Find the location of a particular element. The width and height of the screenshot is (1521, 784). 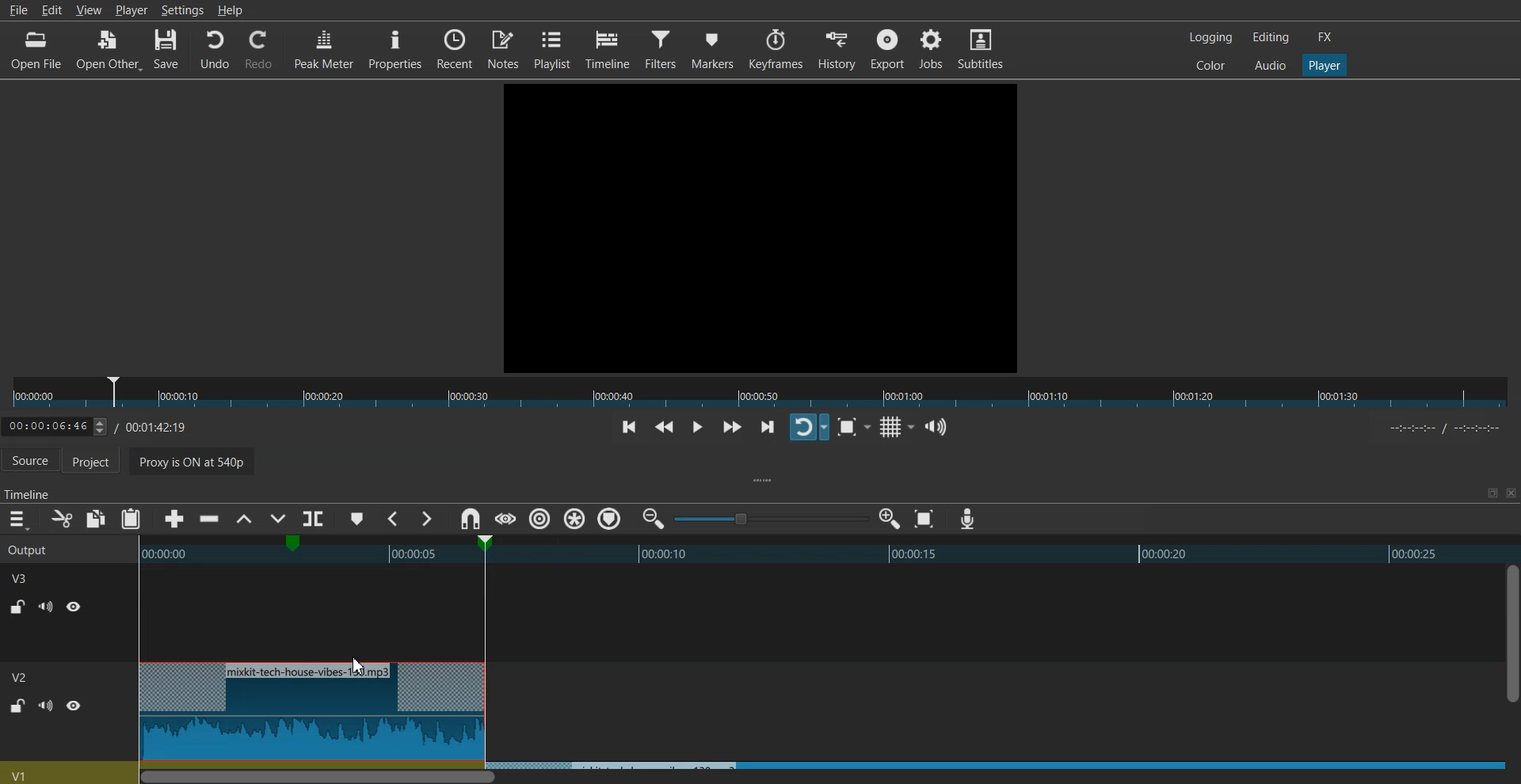

Playlist is located at coordinates (552, 48).